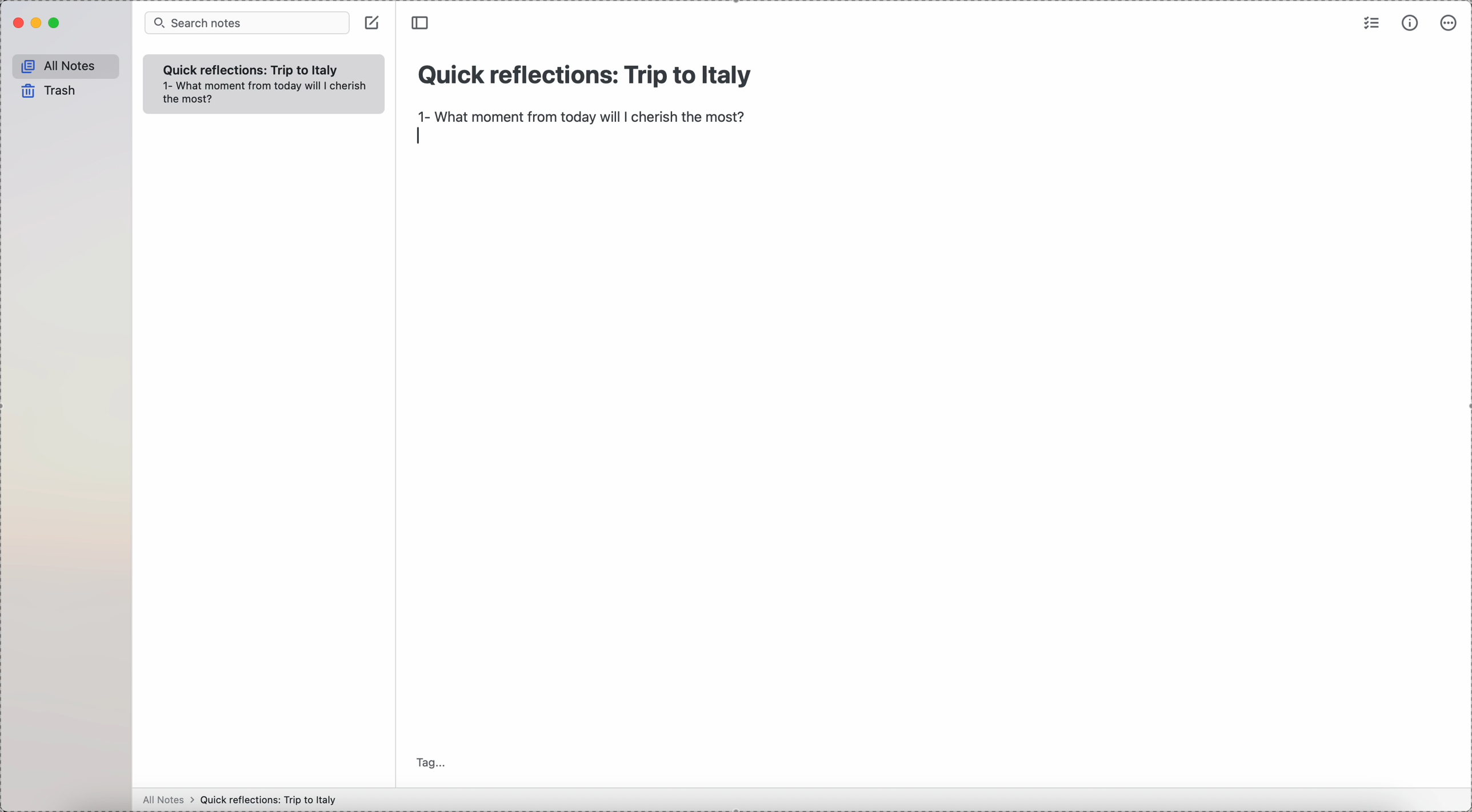  What do you see at coordinates (1372, 22) in the screenshot?
I see `check list` at bounding box center [1372, 22].